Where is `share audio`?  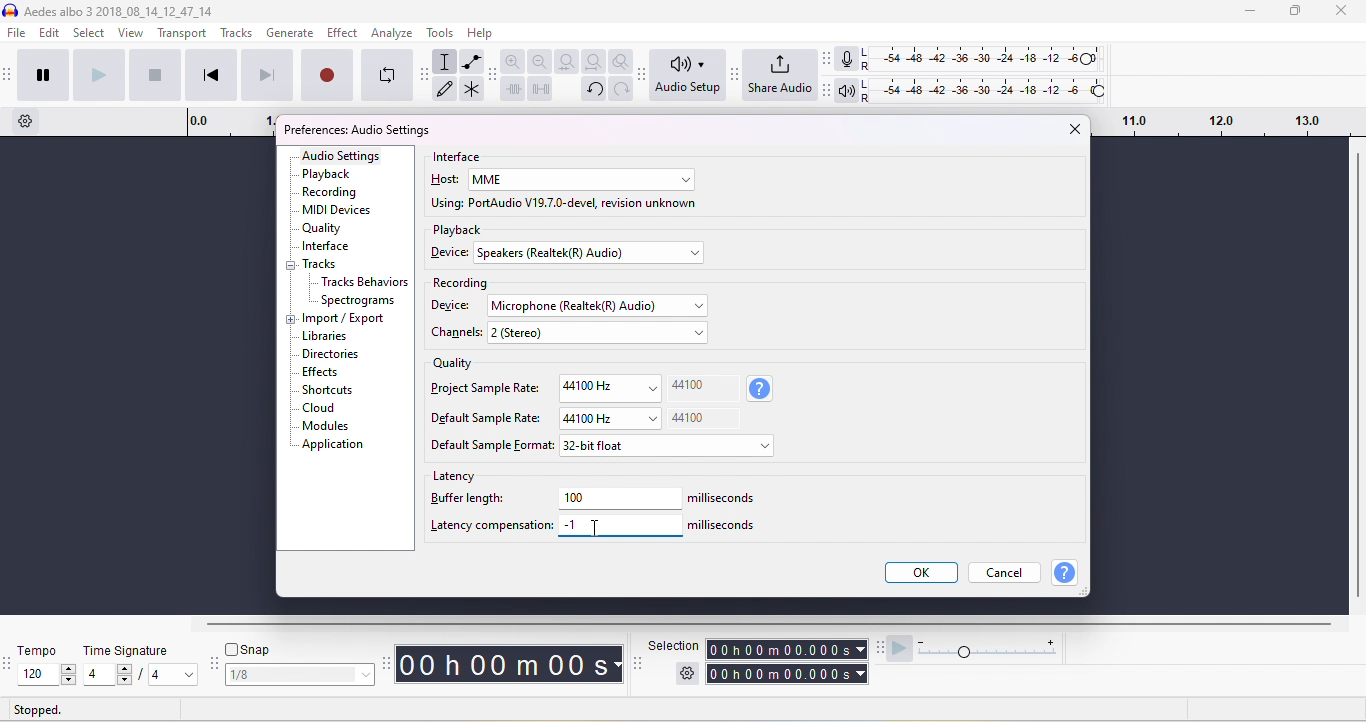 share audio is located at coordinates (780, 77).